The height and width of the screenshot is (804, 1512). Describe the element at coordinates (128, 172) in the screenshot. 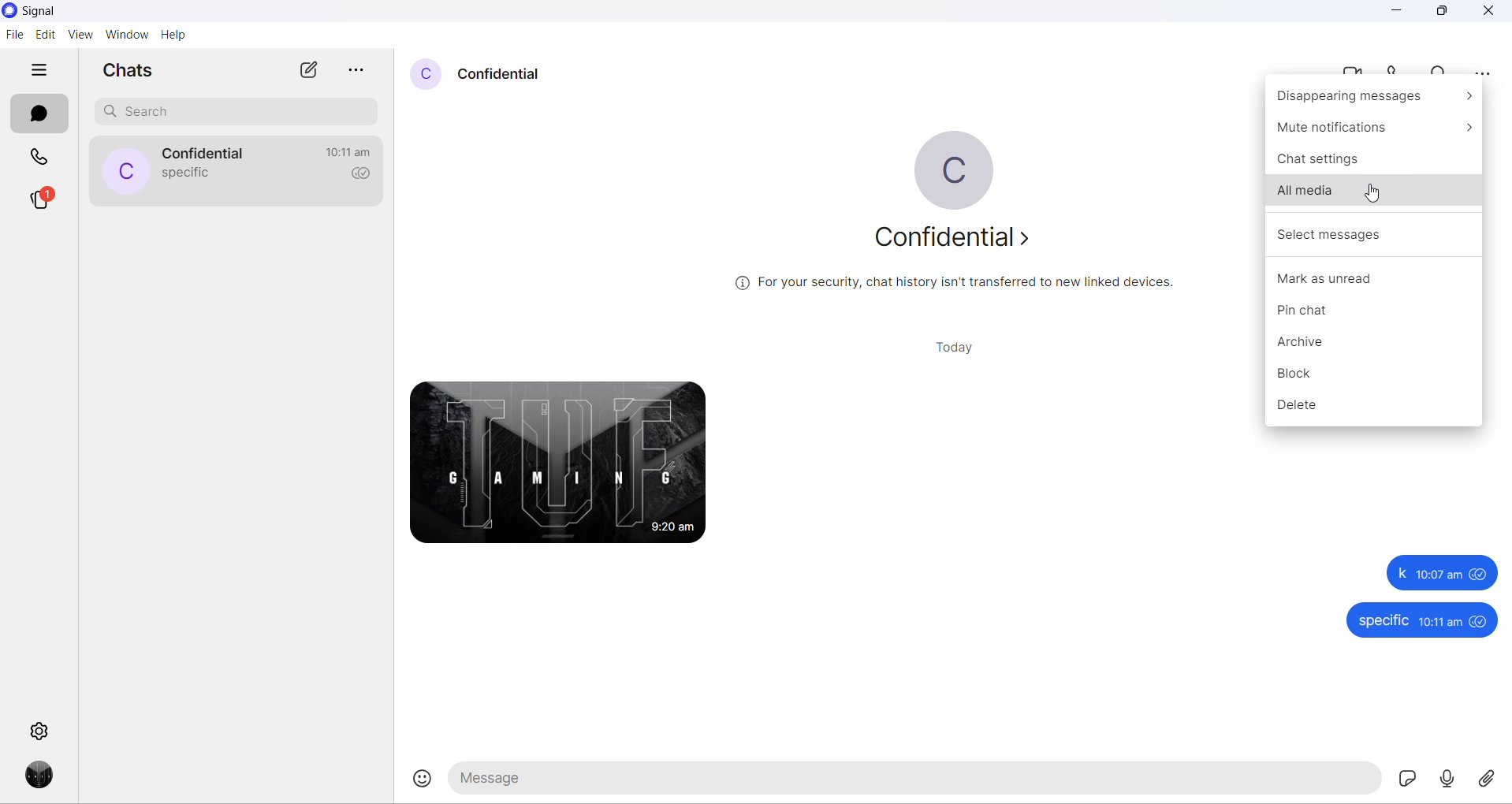

I see `profile picture` at that location.